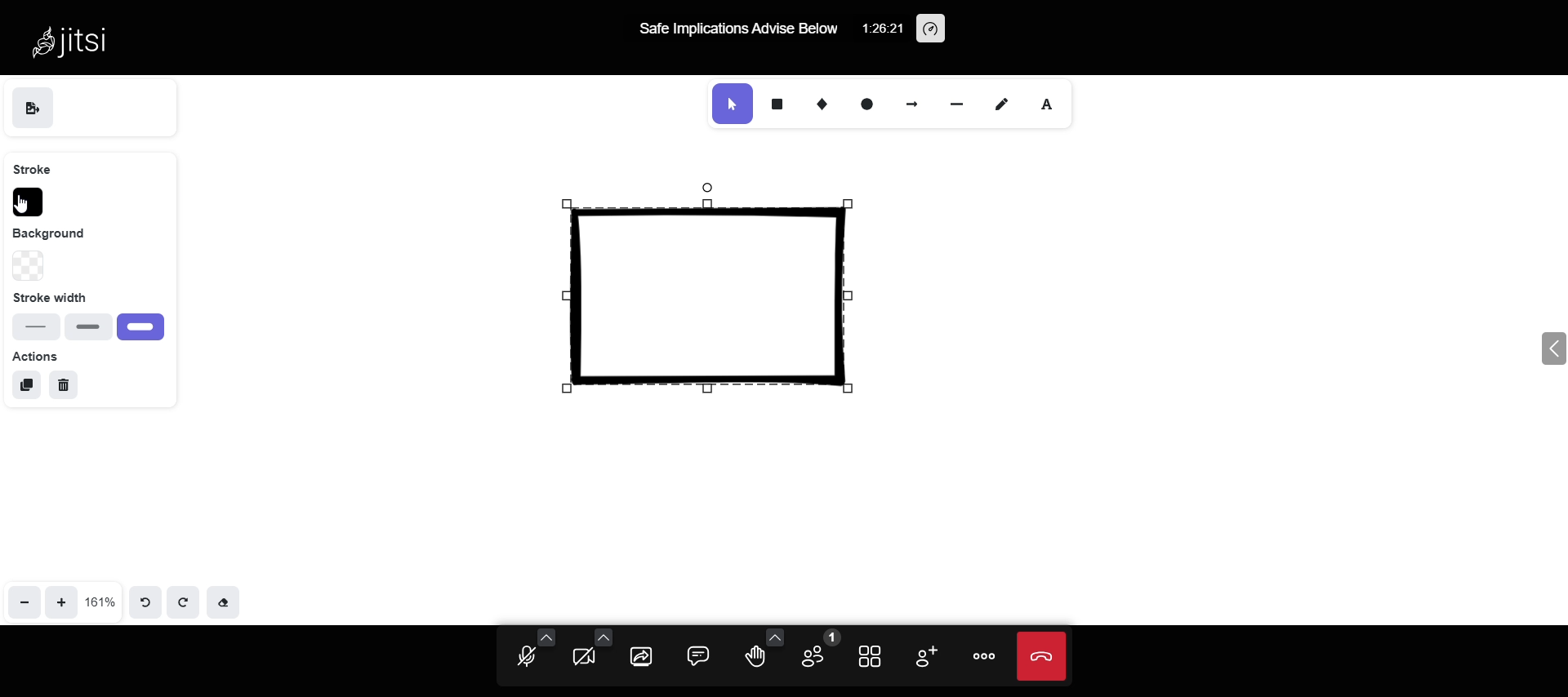  What do you see at coordinates (29, 207) in the screenshot?
I see `cursor` at bounding box center [29, 207].